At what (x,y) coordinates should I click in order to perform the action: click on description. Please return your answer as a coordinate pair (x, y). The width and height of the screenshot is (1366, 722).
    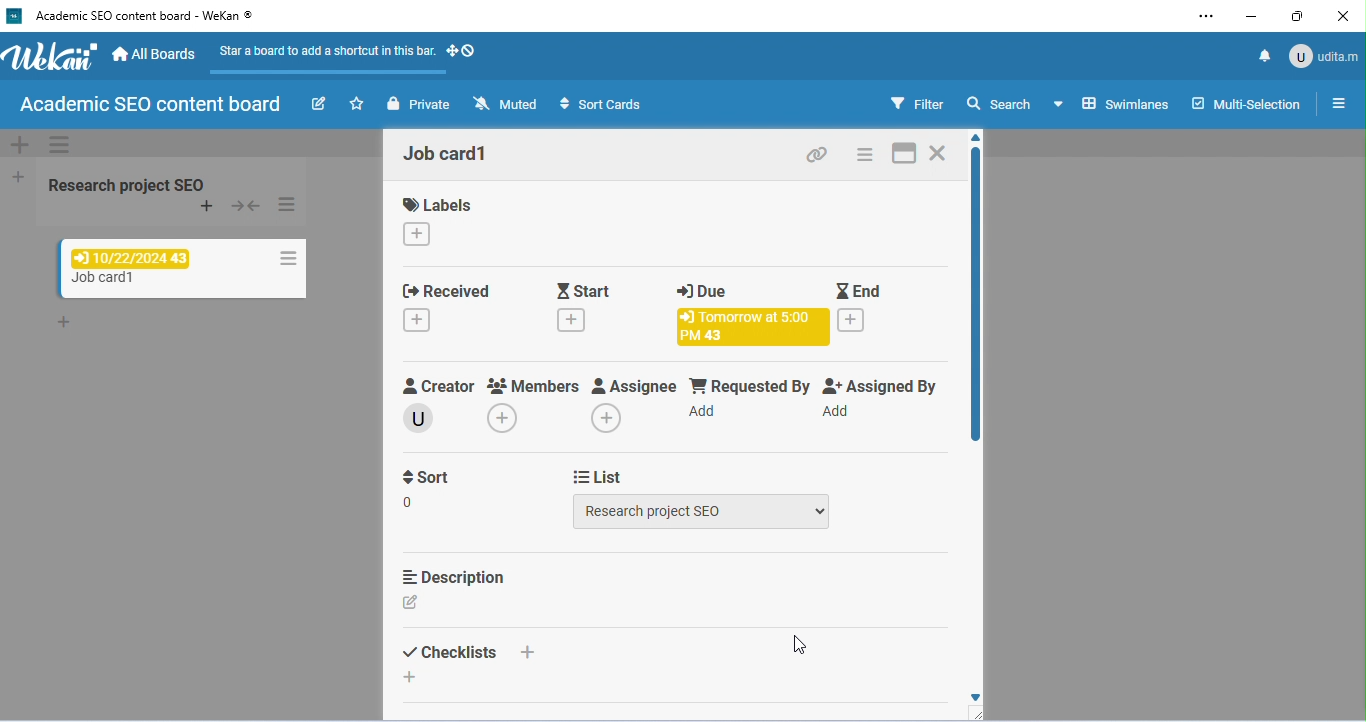
    Looking at the image, I should click on (457, 575).